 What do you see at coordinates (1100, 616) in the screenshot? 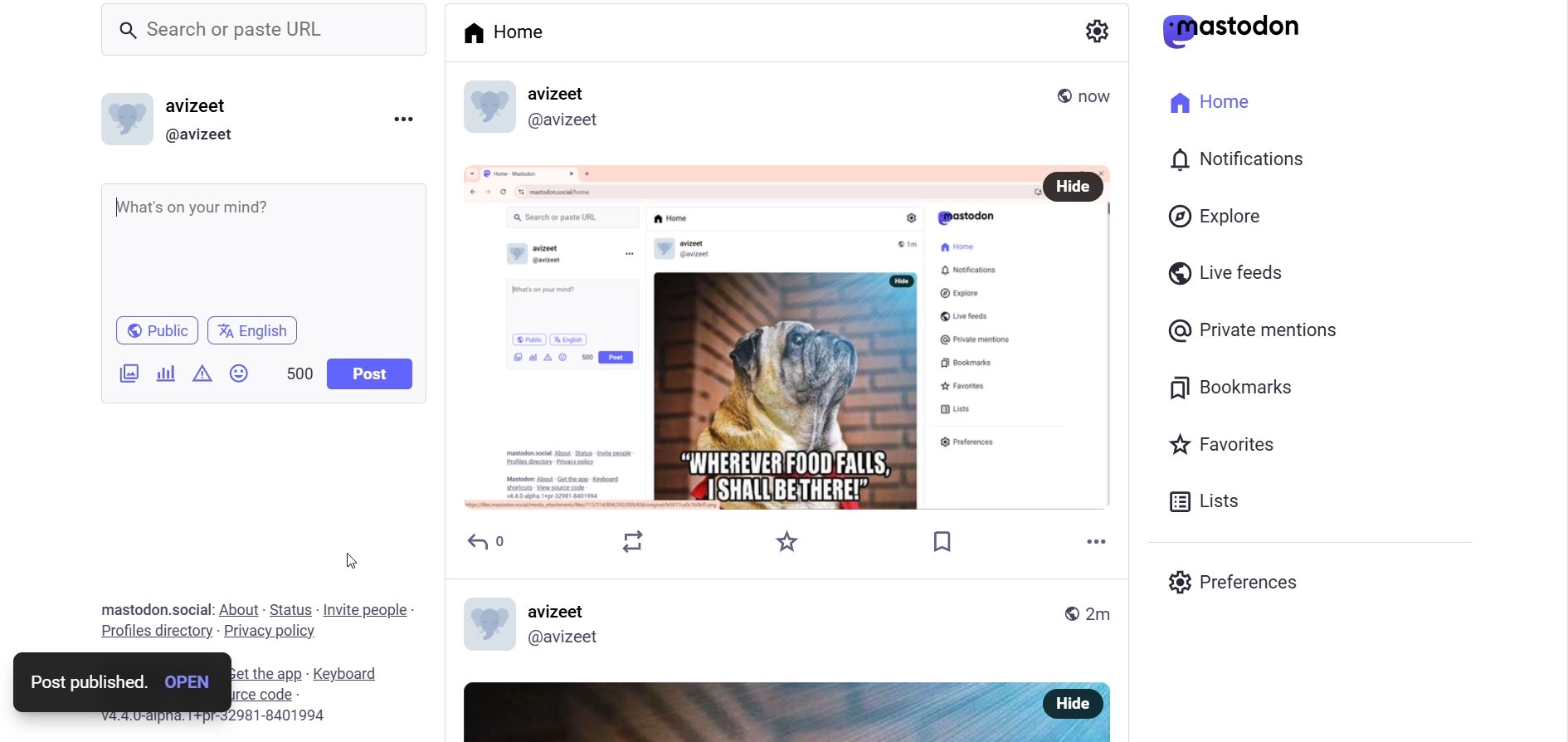
I see `2m` at bounding box center [1100, 616].